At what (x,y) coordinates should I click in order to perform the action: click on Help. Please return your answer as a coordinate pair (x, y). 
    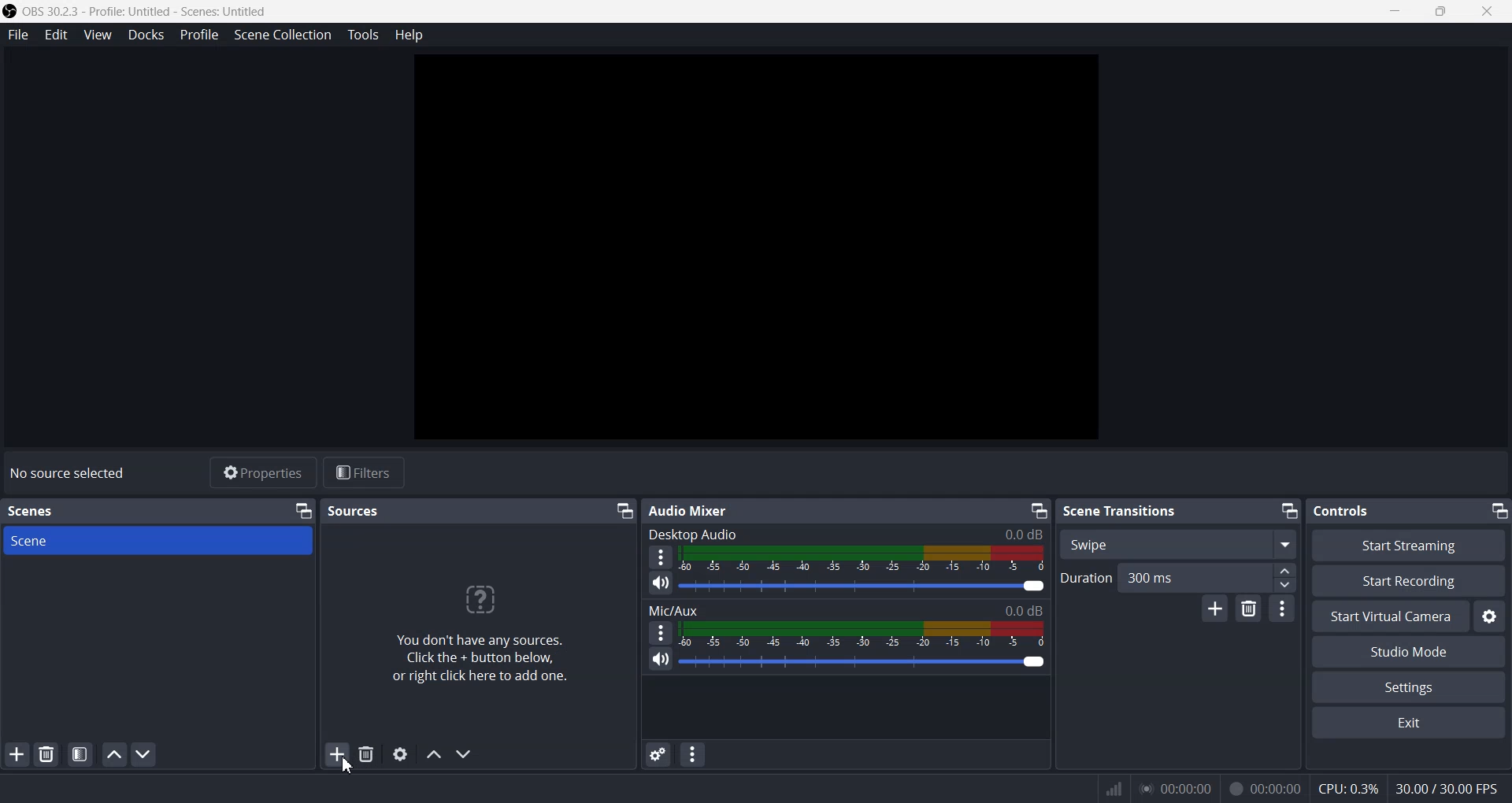
    Looking at the image, I should click on (411, 35).